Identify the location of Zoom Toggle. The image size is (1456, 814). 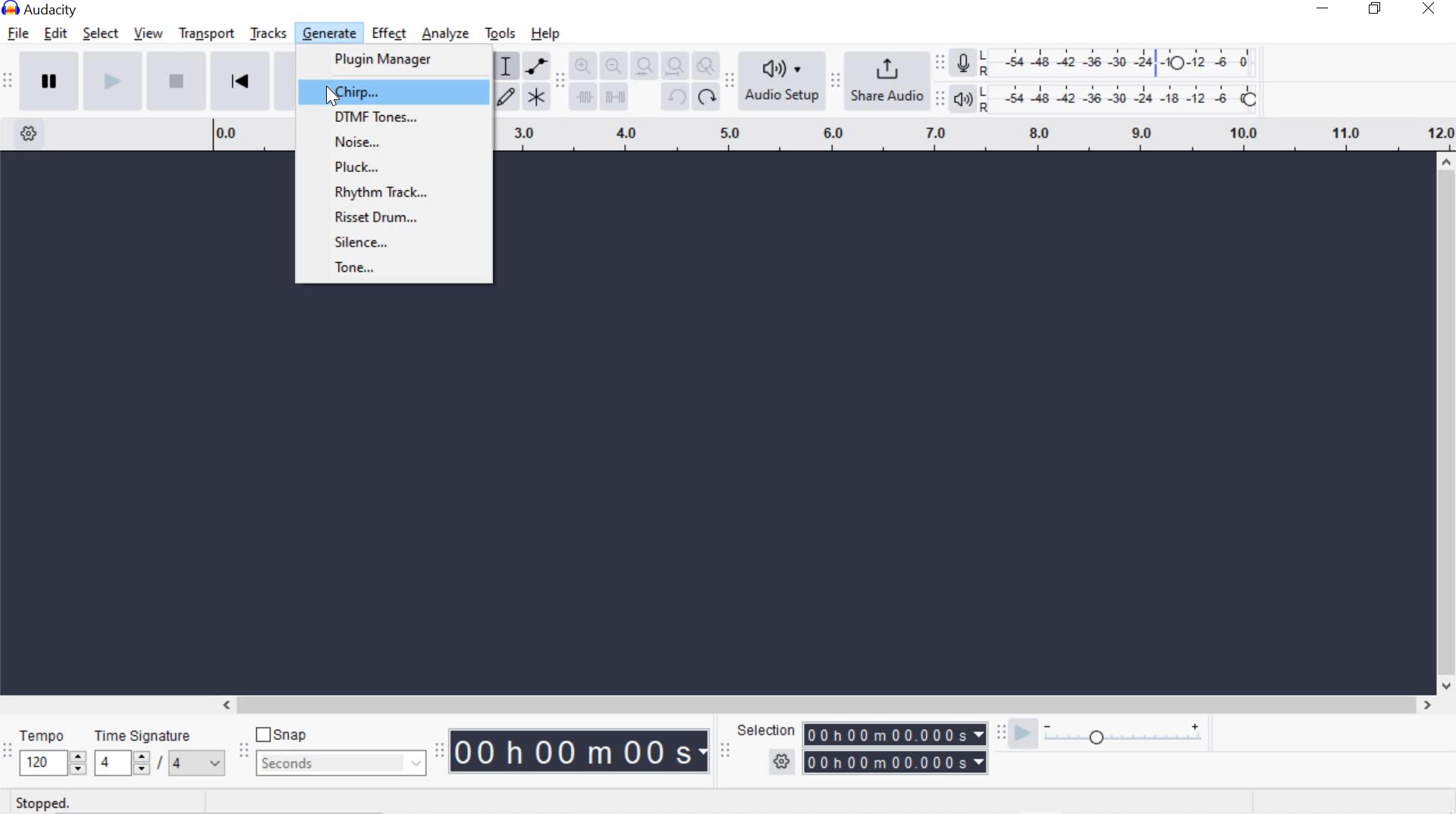
(704, 68).